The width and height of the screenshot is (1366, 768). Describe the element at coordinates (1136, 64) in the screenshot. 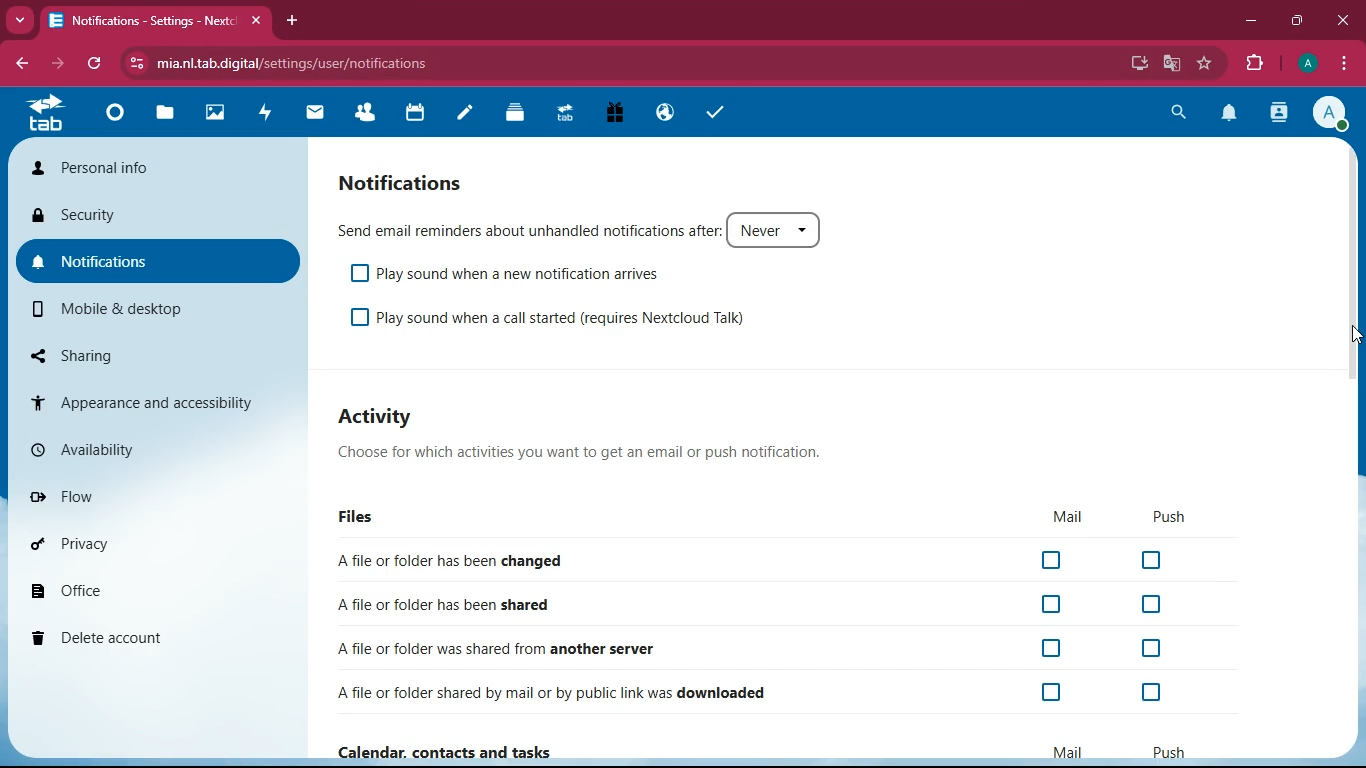

I see `desktop` at that location.